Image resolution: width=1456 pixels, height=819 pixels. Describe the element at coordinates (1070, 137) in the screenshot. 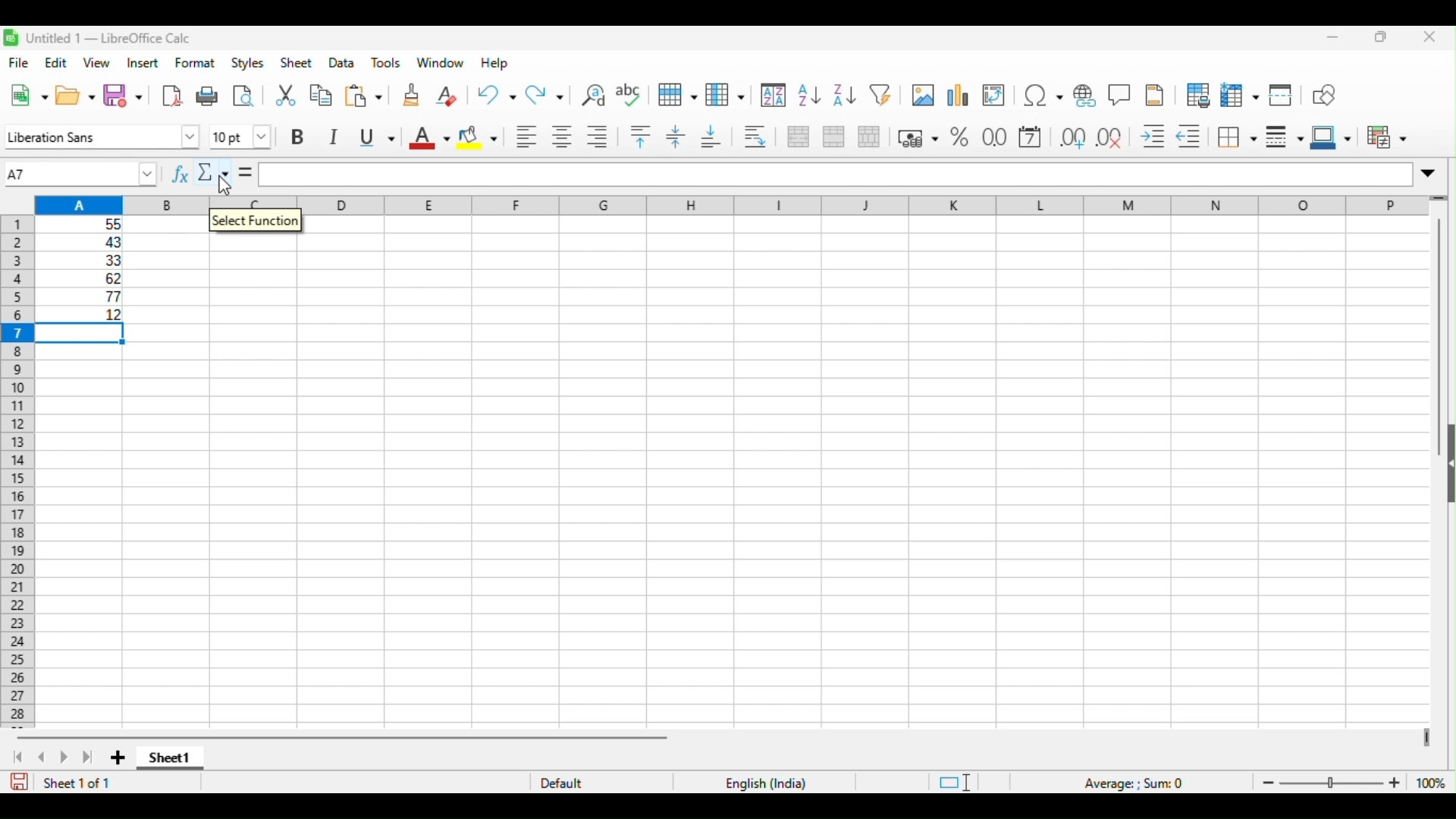

I see `add decimal place` at that location.